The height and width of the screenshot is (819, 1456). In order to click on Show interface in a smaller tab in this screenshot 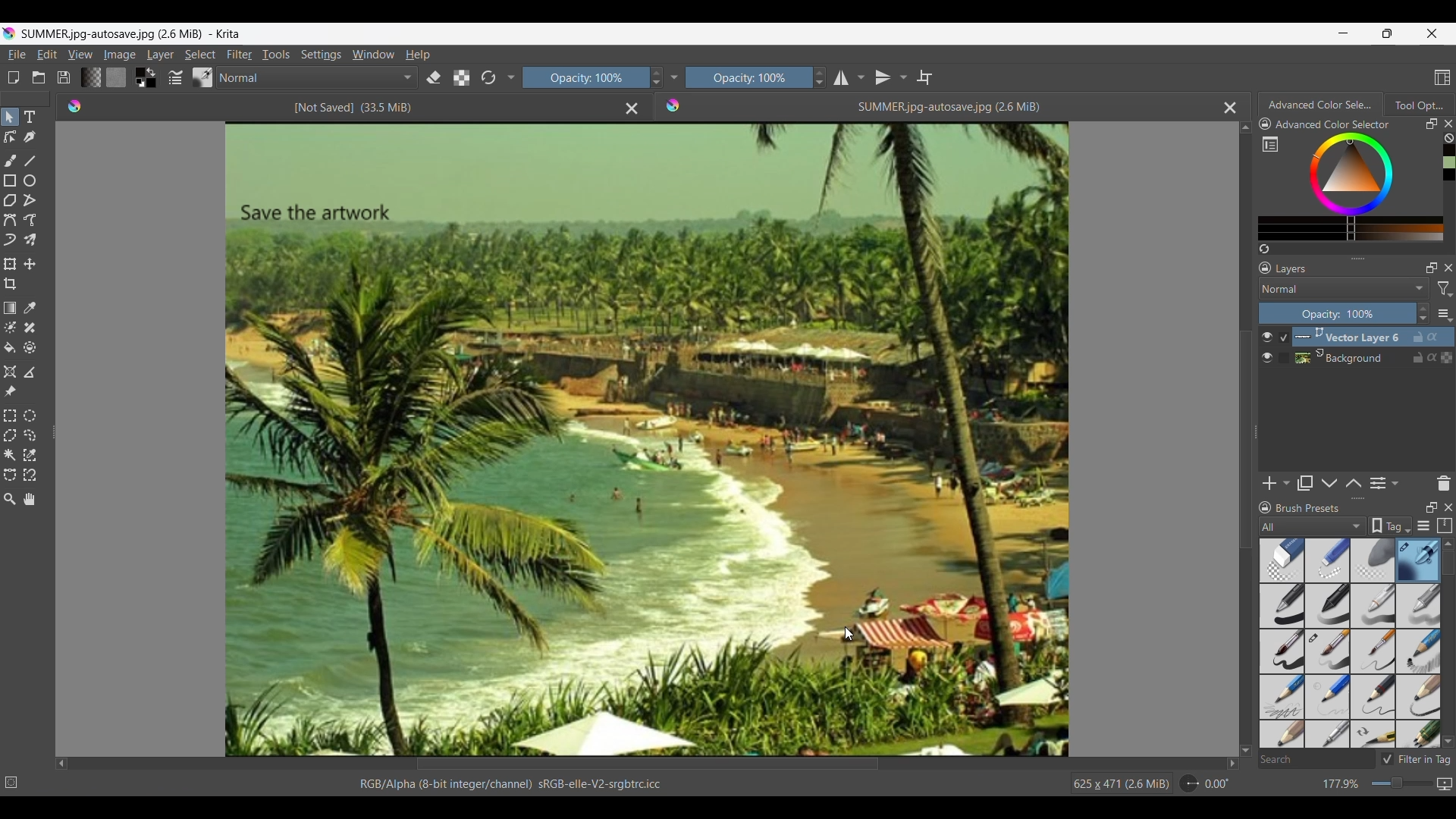, I will do `click(1388, 33)`.